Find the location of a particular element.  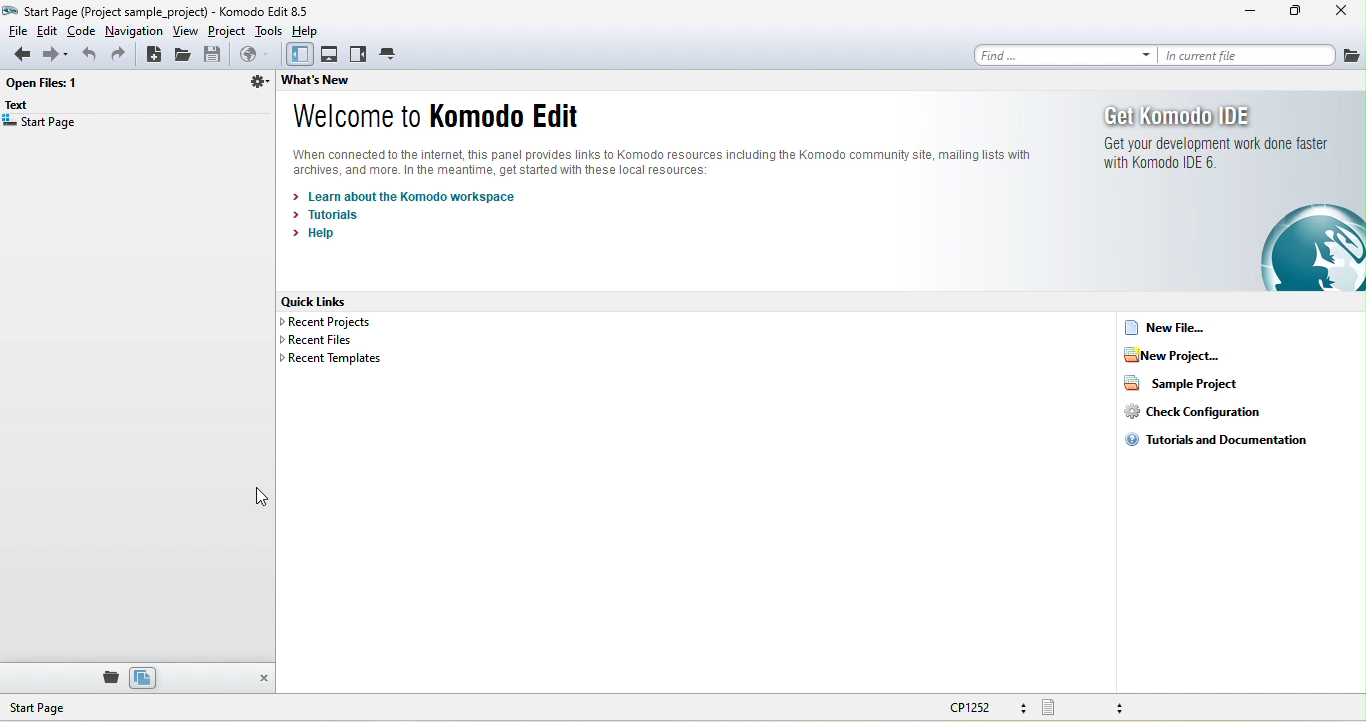

learn about the komodo workspace is located at coordinates (411, 196).